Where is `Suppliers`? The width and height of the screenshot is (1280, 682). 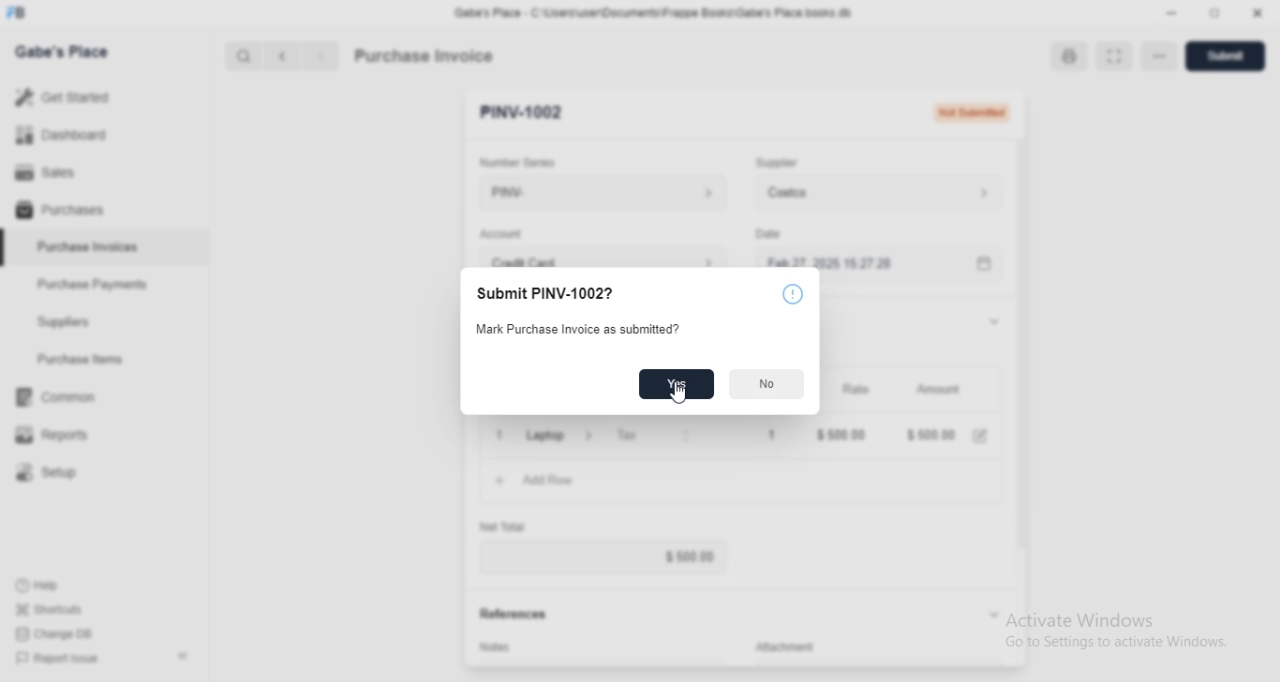
Suppliers is located at coordinates (104, 321).